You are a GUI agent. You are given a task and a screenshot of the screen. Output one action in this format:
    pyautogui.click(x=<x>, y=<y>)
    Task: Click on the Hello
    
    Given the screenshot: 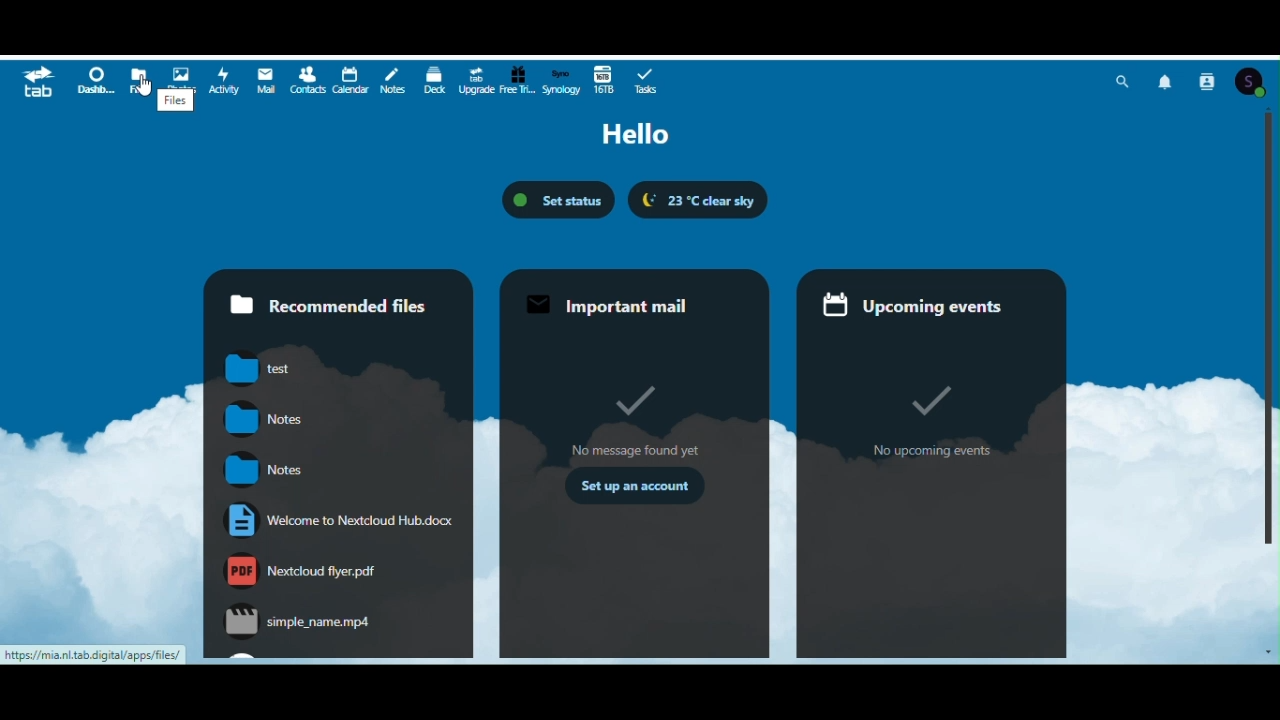 What is the action you would take?
    pyautogui.click(x=643, y=135)
    